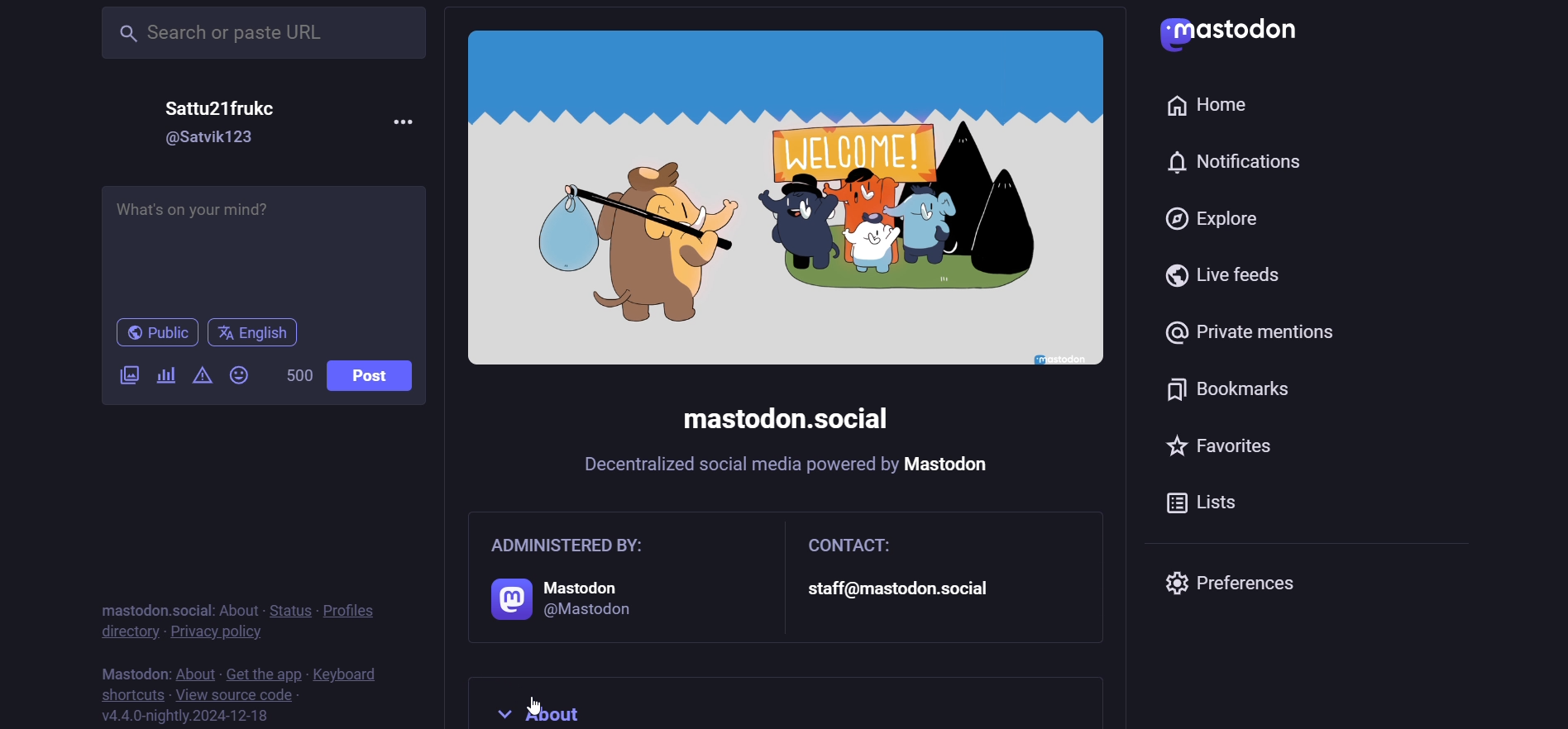 This screenshot has width=1568, height=729. I want to click on pointer, so click(231, 619).